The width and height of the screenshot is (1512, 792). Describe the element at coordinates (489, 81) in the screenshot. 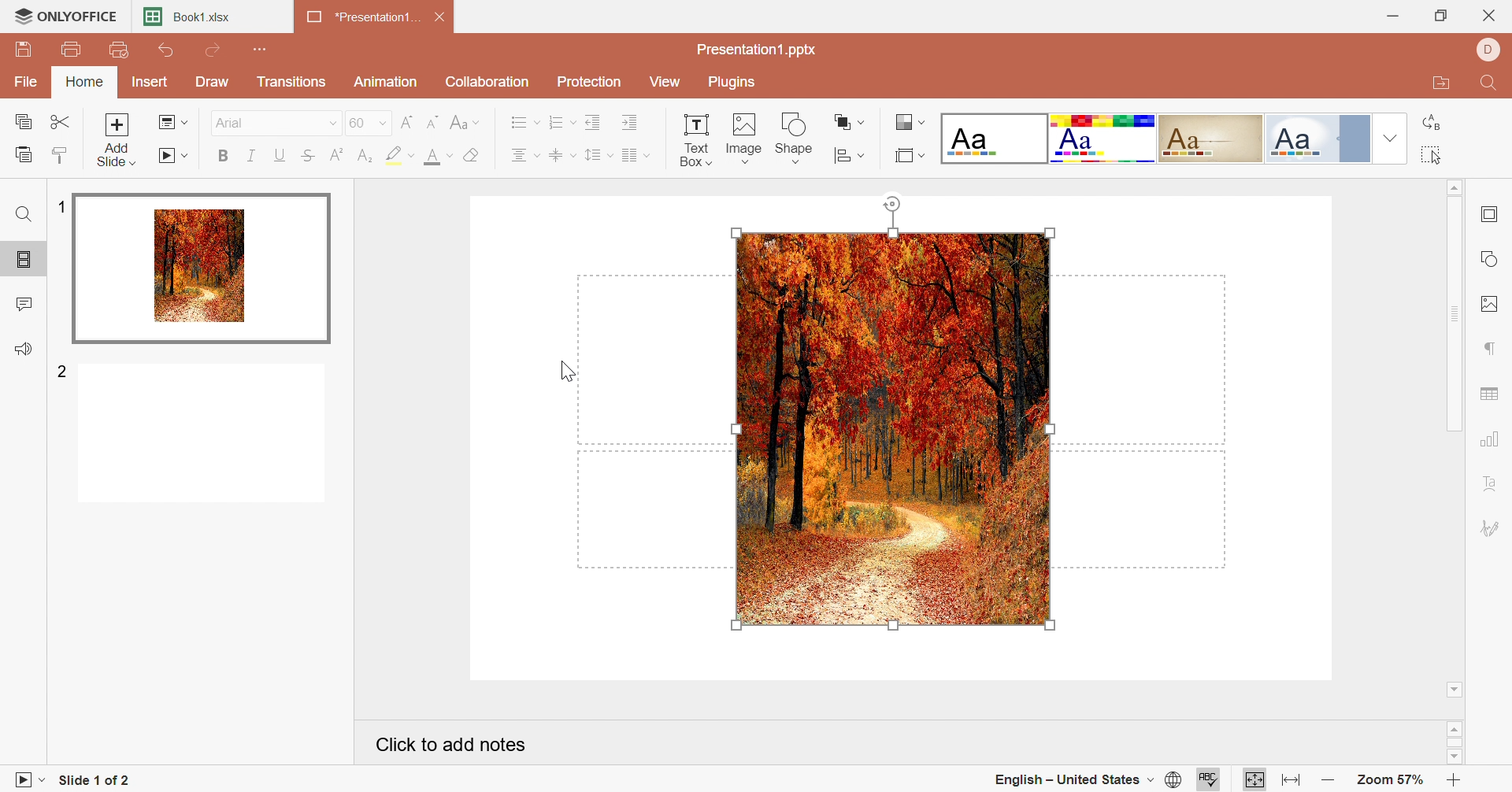

I see `Collaboration` at that location.